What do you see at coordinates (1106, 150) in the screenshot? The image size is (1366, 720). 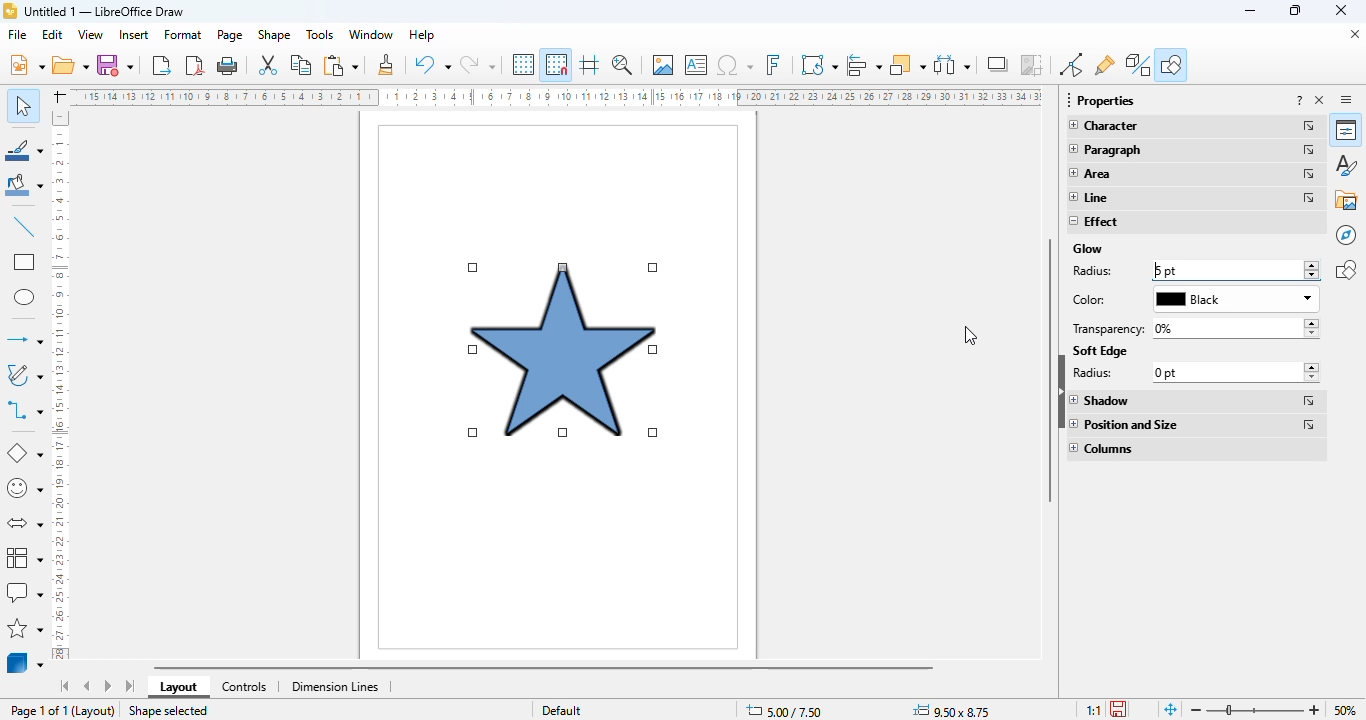 I see `paragraph` at bounding box center [1106, 150].